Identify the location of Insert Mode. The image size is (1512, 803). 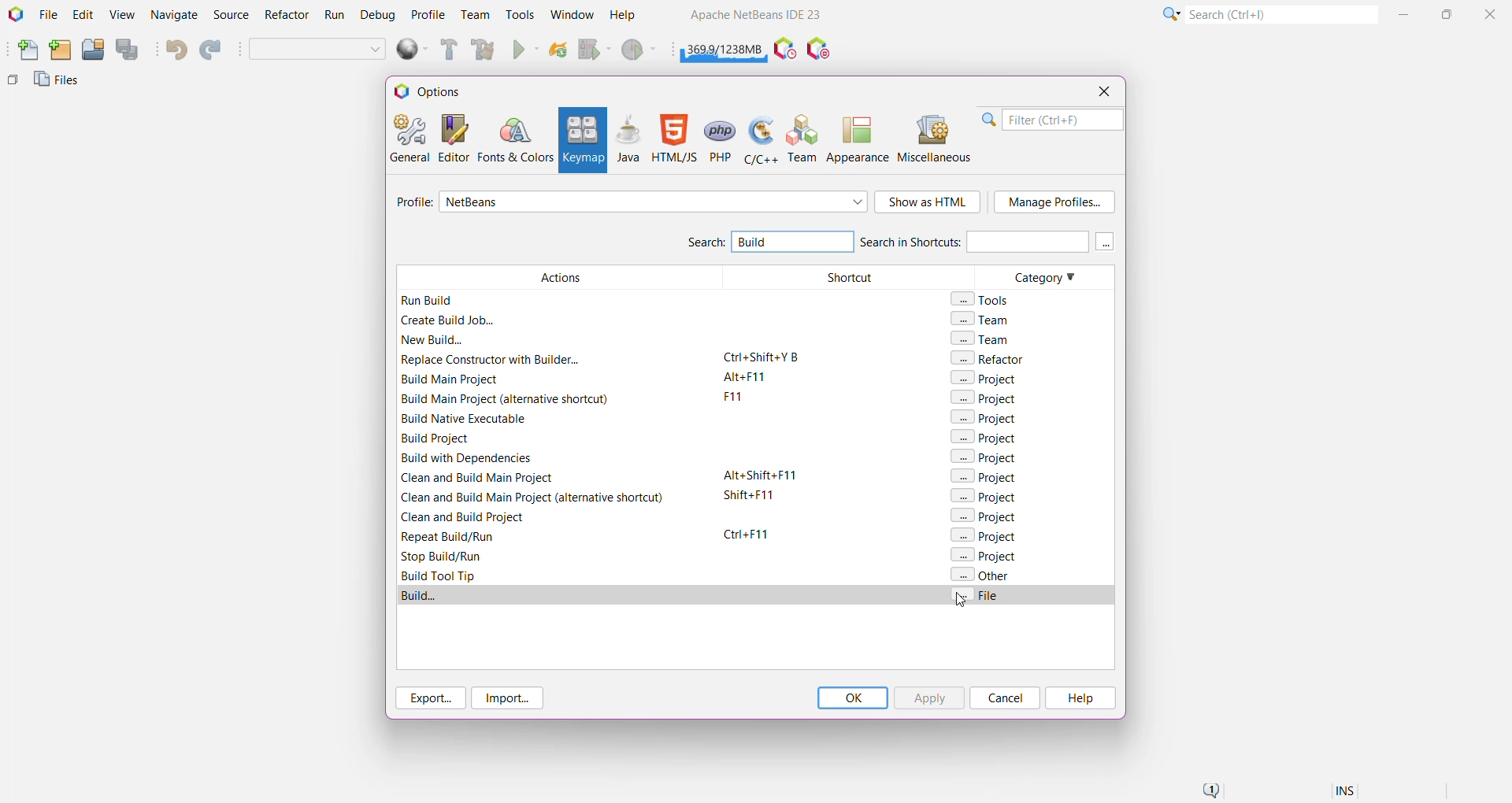
(1347, 793).